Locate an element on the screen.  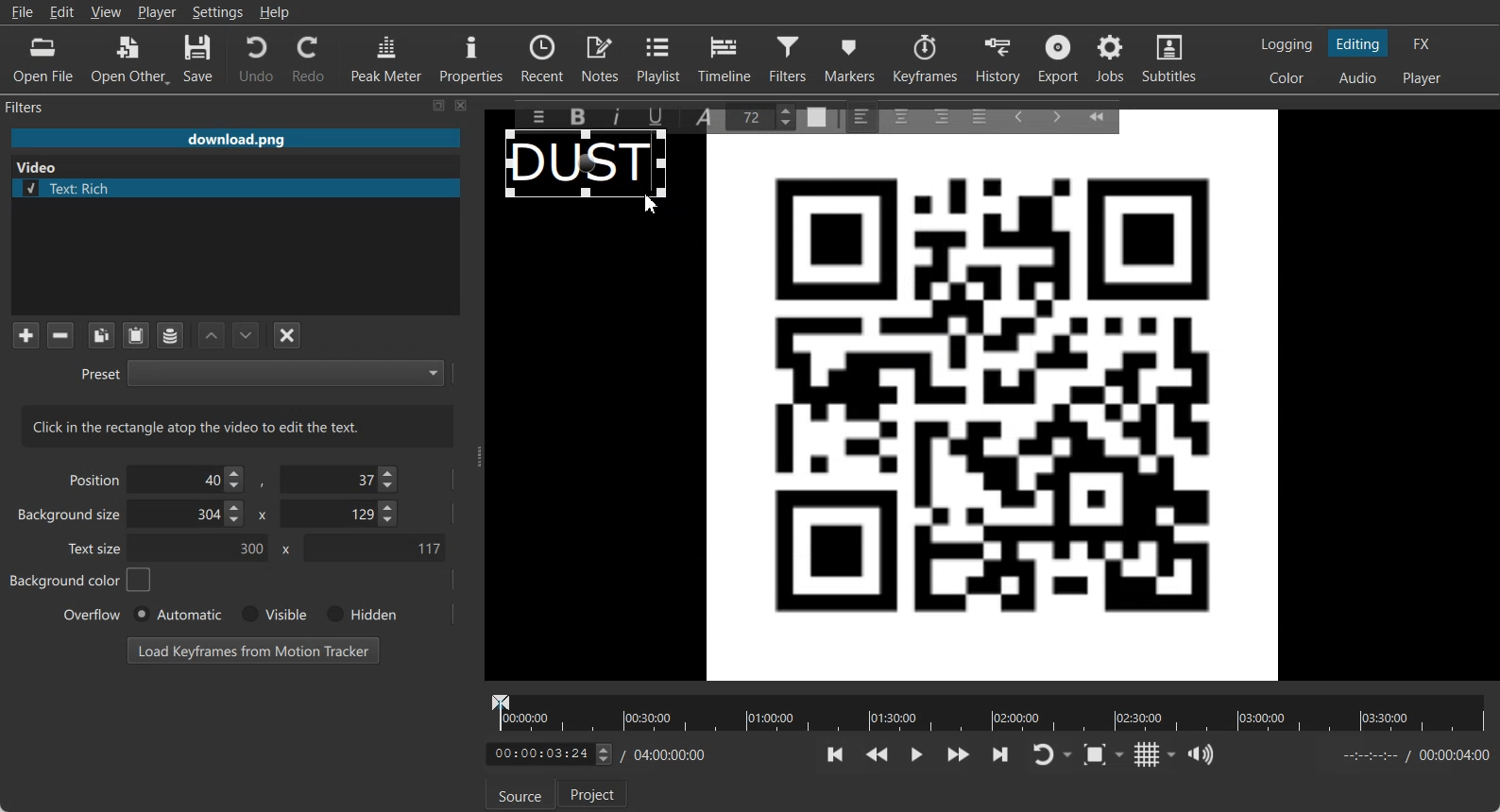
Remove selected Filter is located at coordinates (60, 334).